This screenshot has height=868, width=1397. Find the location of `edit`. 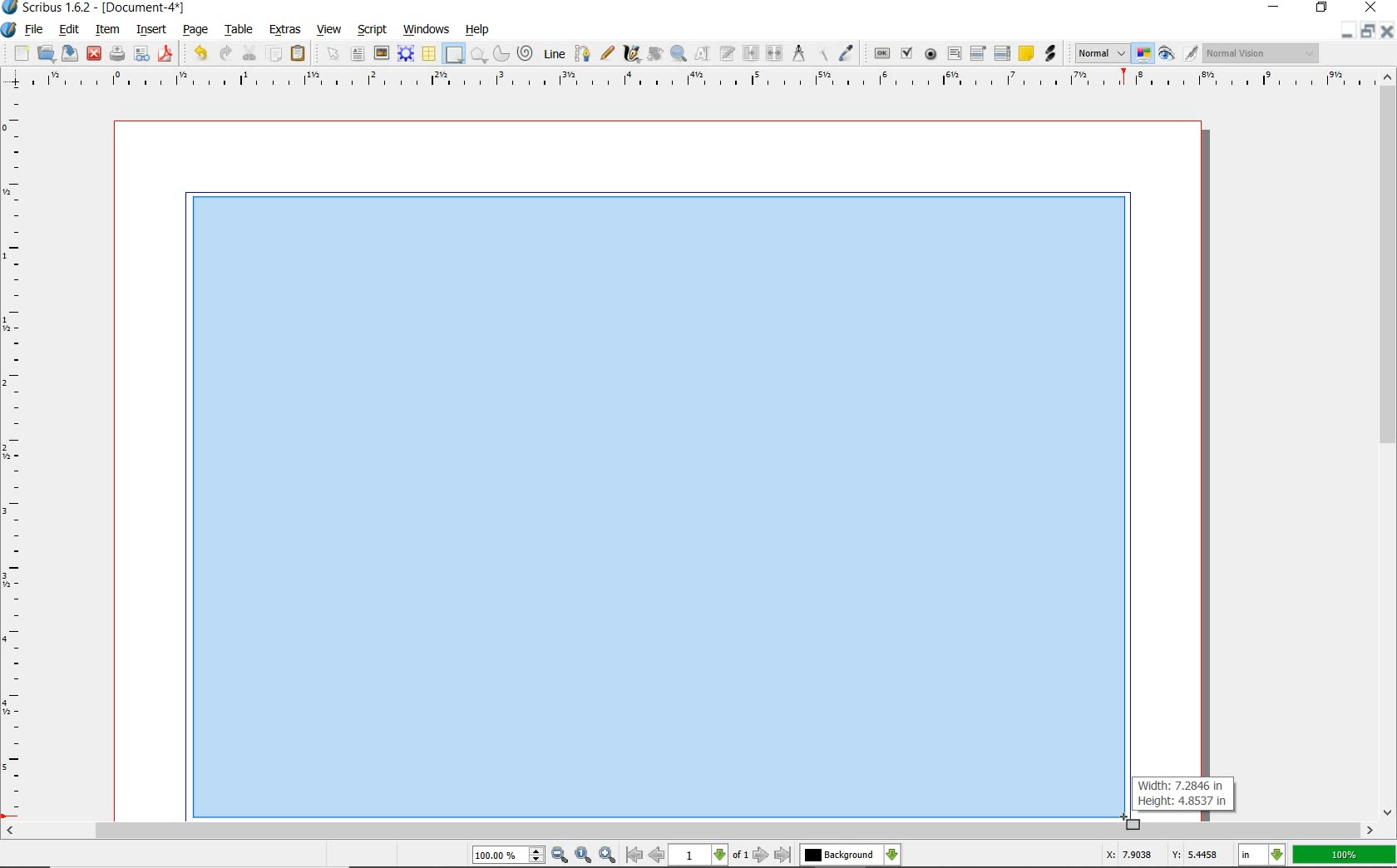

edit is located at coordinates (70, 29).